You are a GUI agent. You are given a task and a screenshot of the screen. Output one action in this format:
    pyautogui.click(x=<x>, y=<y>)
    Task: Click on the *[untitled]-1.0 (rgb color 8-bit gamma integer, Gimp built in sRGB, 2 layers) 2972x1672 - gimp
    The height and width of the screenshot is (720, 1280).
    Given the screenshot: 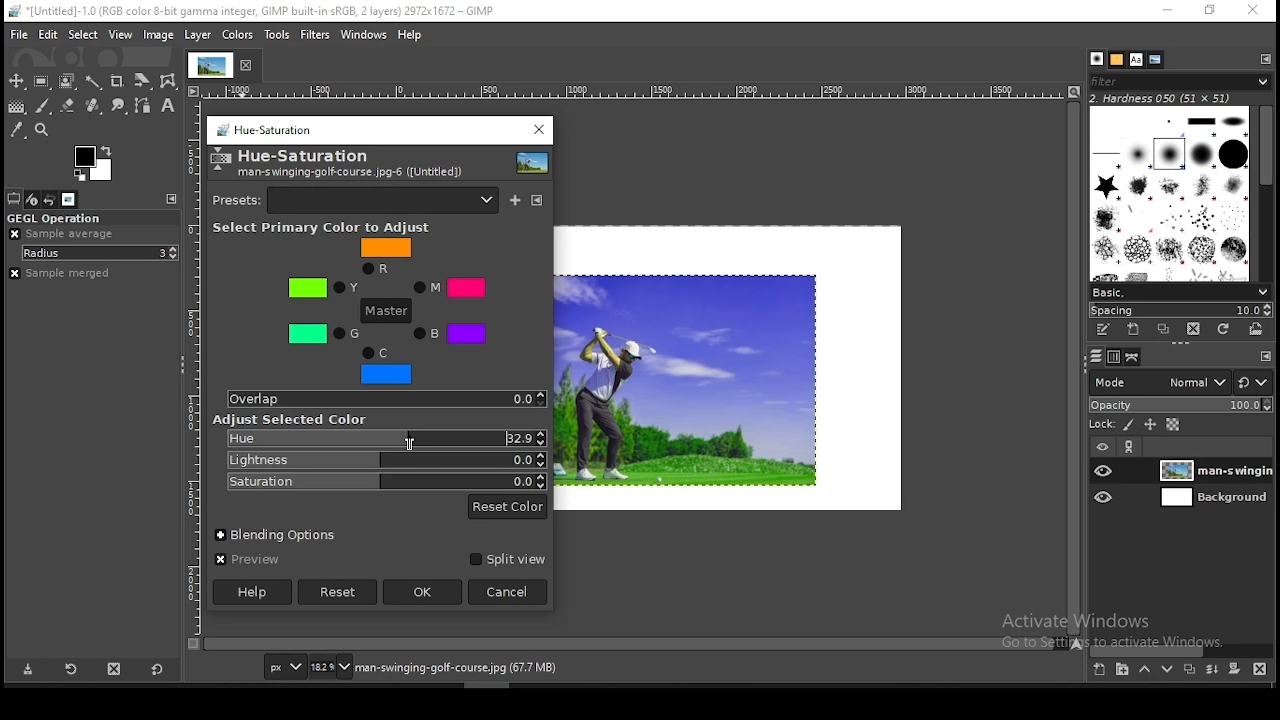 What is the action you would take?
    pyautogui.click(x=252, y=12)
    